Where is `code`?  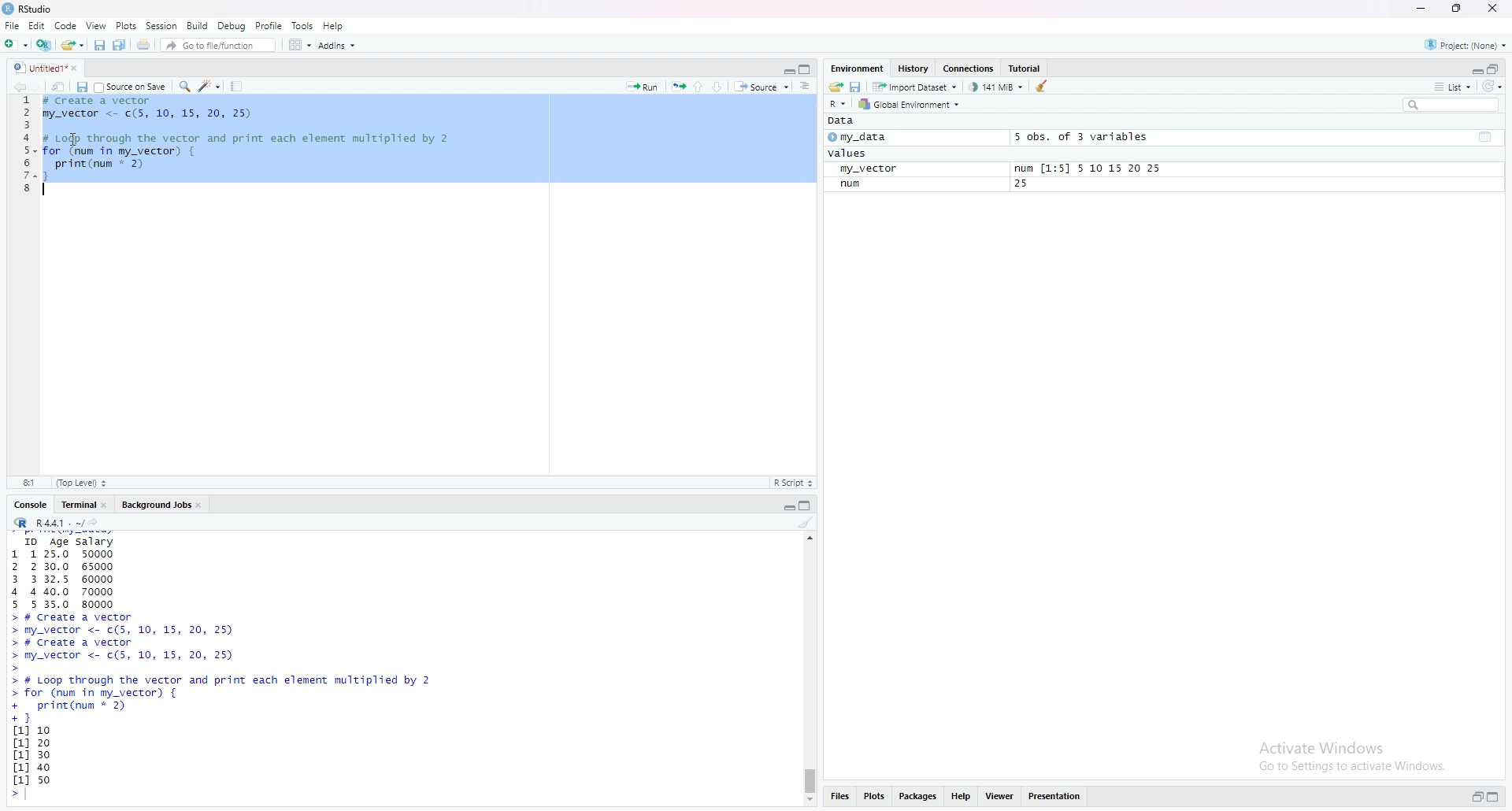
code is located at coordinates (65, 26).